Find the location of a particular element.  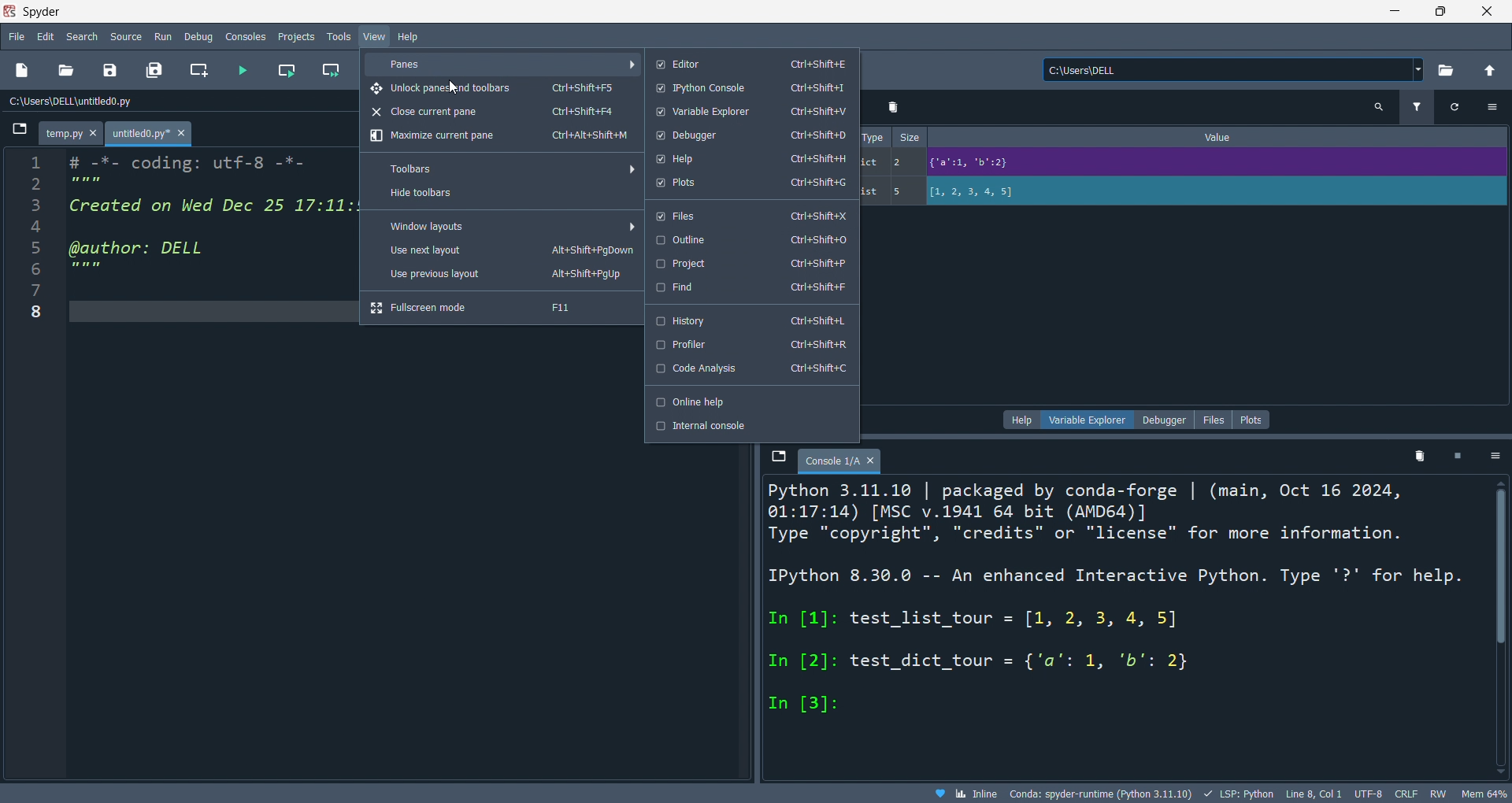

5 is located at coordinates (903, 191).